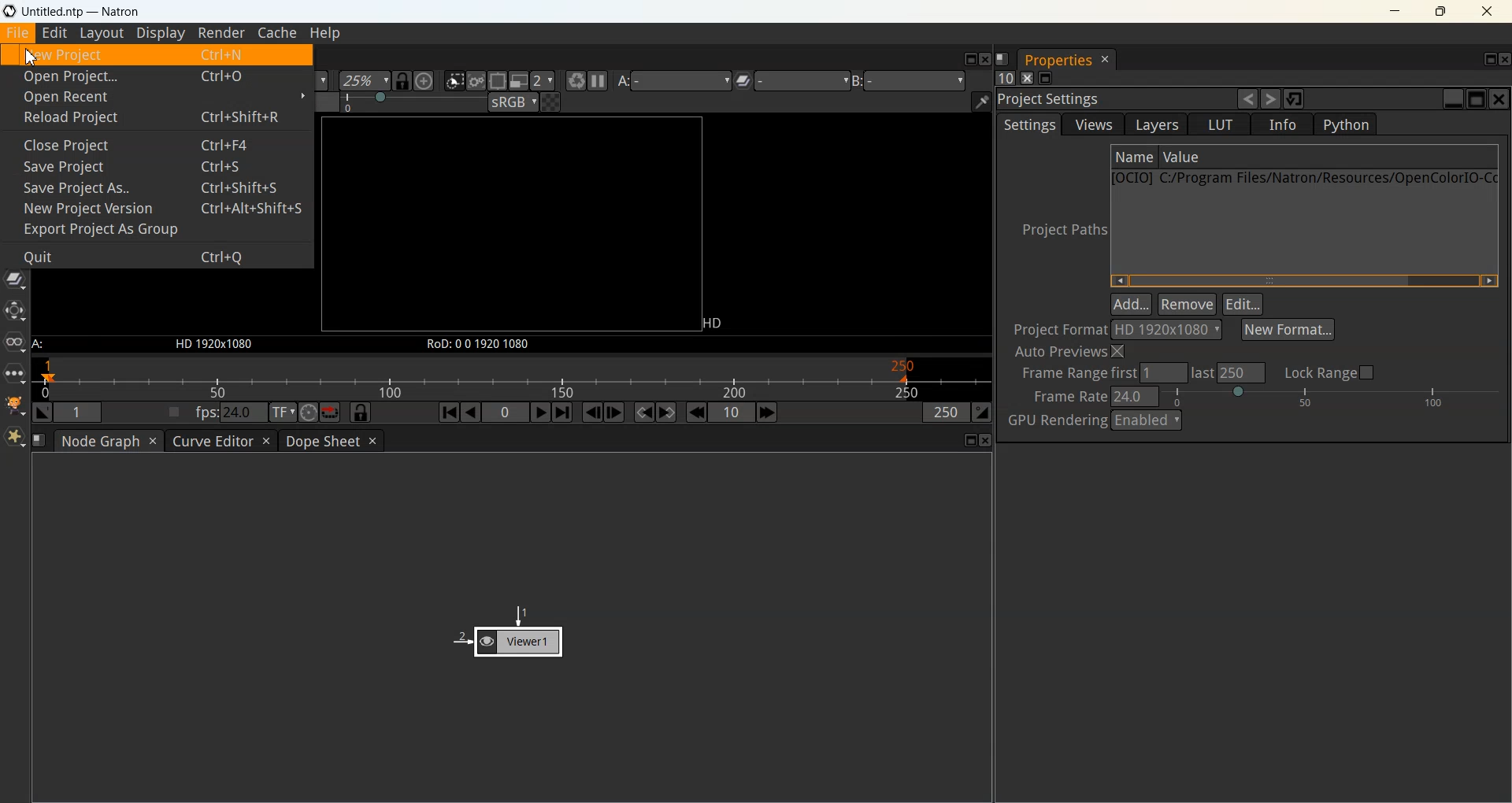  What do you see at coordinates (364, 81) in the screenshot?
I see `Zoom percentage` at bounding box center [364, 81].